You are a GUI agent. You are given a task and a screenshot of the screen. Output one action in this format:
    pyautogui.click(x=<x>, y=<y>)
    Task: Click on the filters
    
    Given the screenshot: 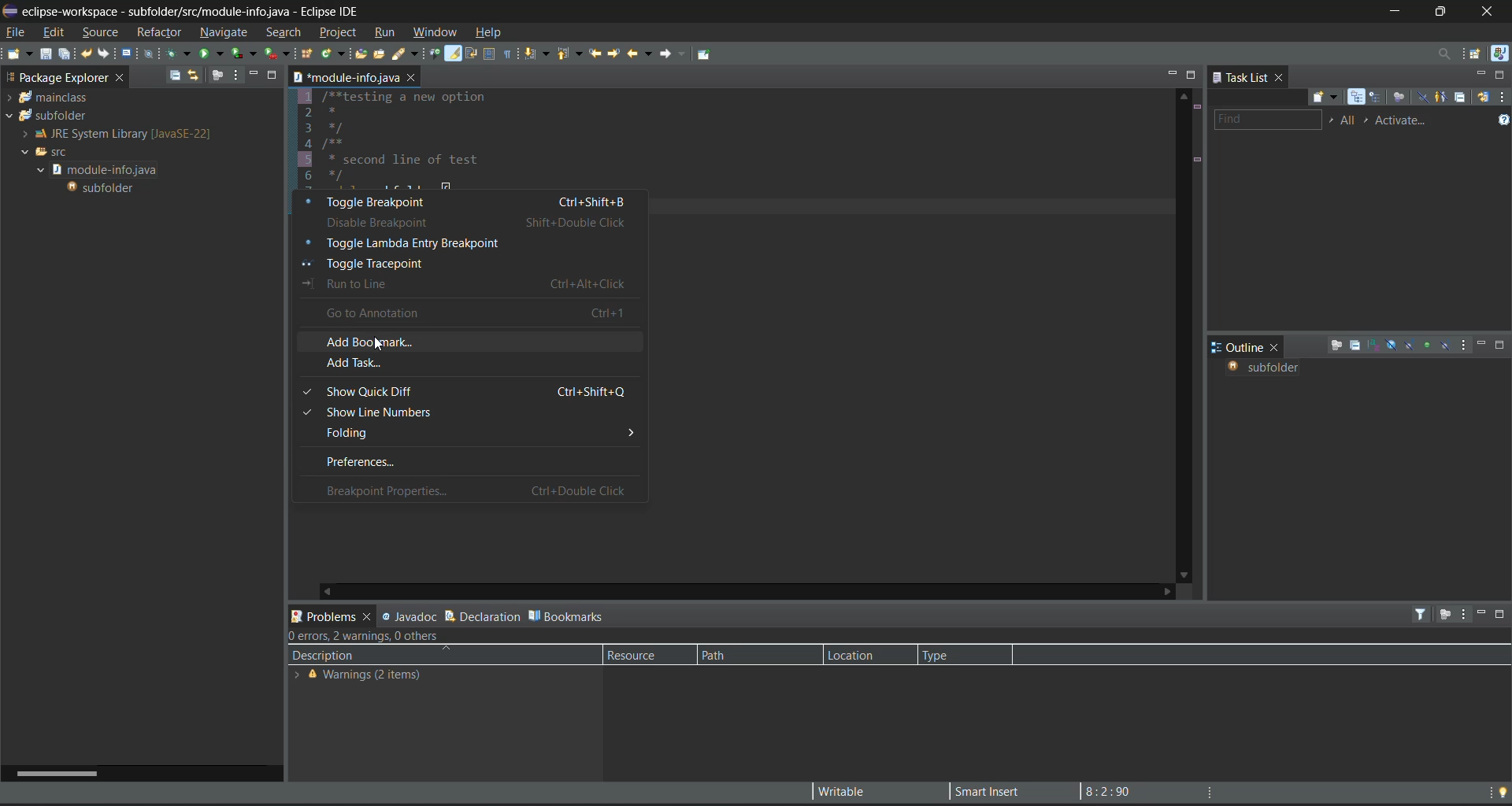 What is the action you would take?
    pyautogui.click(x=1423, y=614)
    